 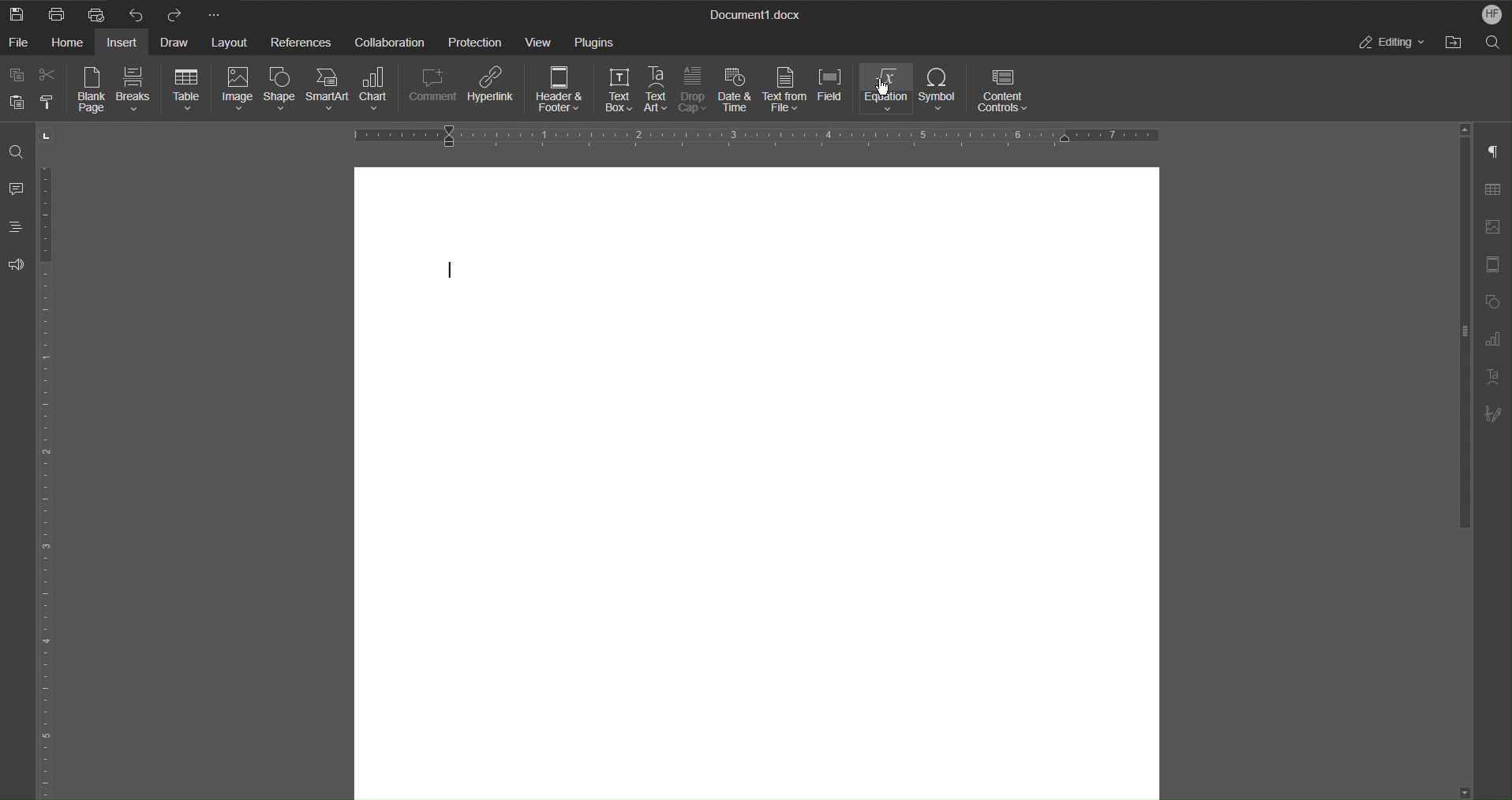 What do you see at coordinates (18, 227) in the screenshot?
I see `Headings` at bounding box center [18, 227].